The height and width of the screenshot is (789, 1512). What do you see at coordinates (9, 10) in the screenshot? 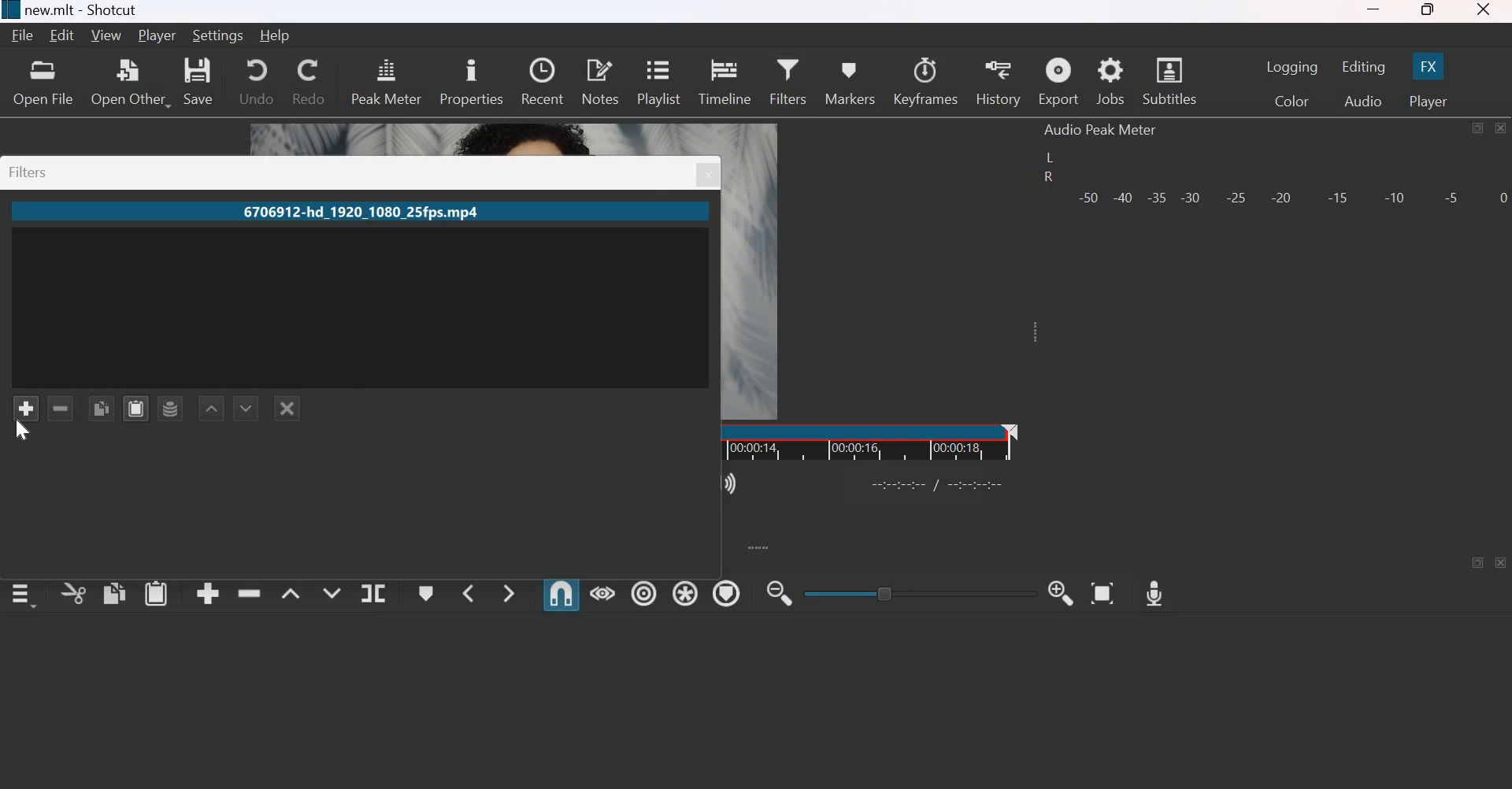
I see `` at bounding box center [9, 10].